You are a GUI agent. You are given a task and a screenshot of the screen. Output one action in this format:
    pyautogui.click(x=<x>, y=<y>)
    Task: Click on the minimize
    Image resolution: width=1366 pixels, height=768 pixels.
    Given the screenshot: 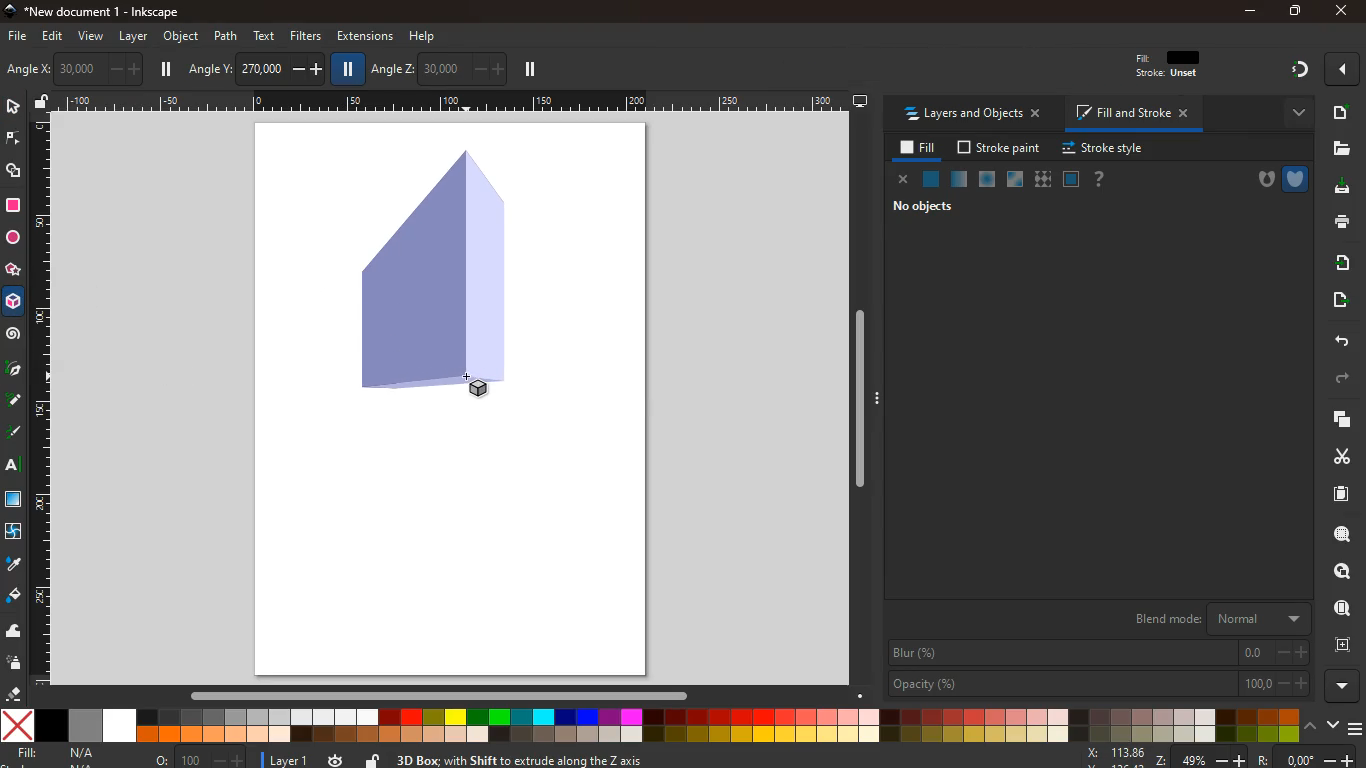 What is the action you would take?
    pyautogui.click(x=1250, y=11)
    